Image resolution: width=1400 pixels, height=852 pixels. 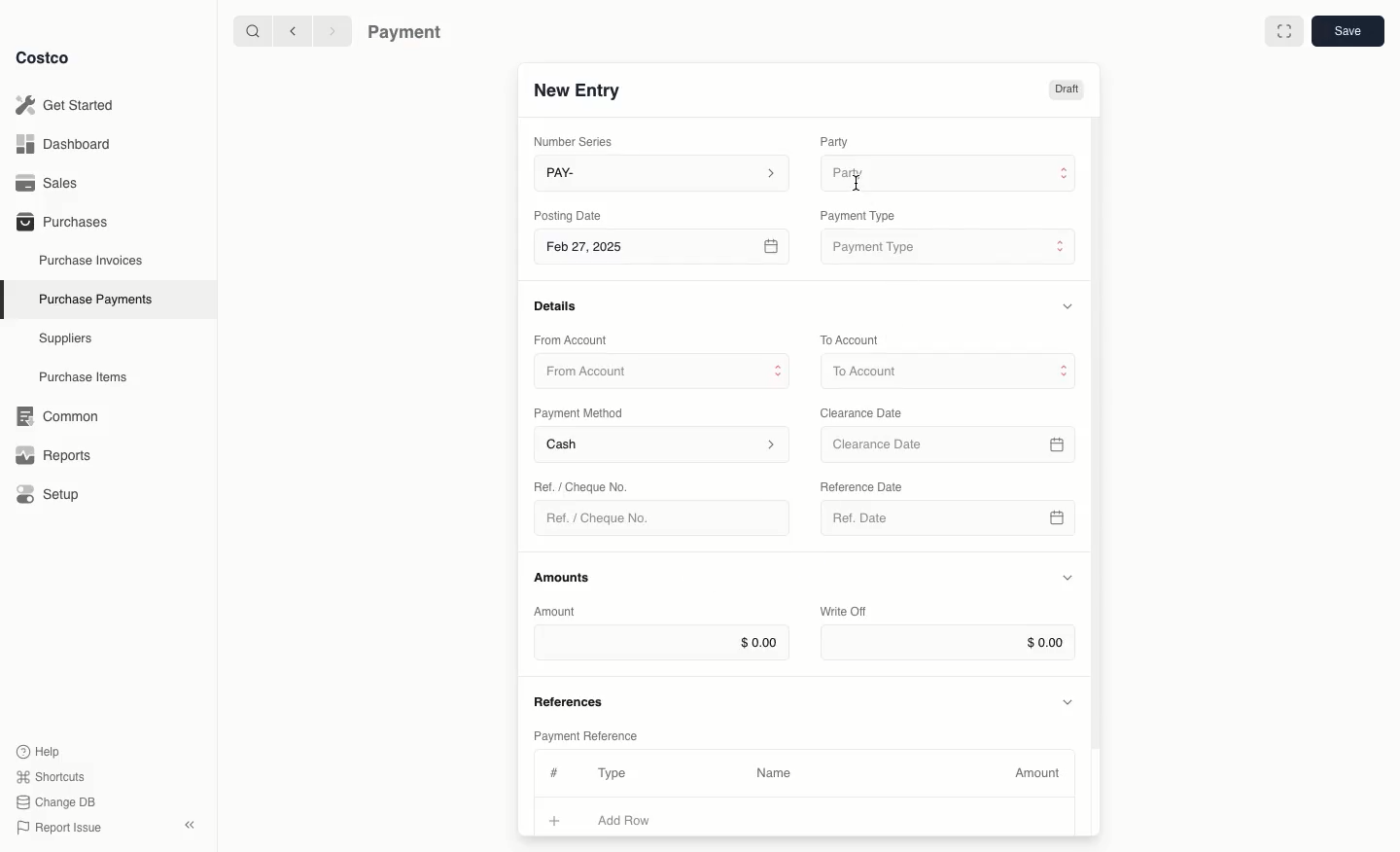 I want to click on Reports, so click(x=51, y=452).